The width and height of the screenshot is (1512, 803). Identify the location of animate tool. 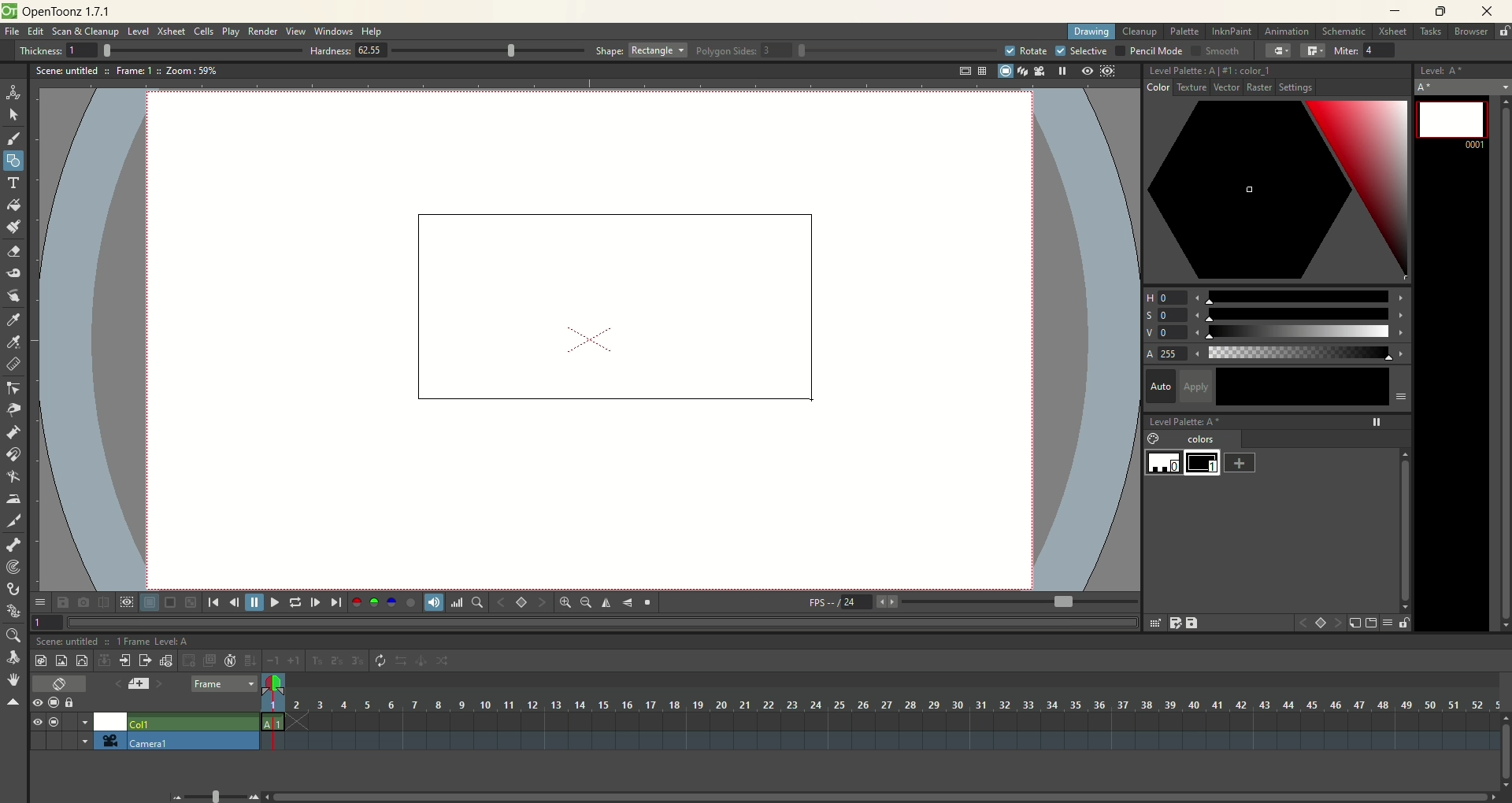
(13, 92).